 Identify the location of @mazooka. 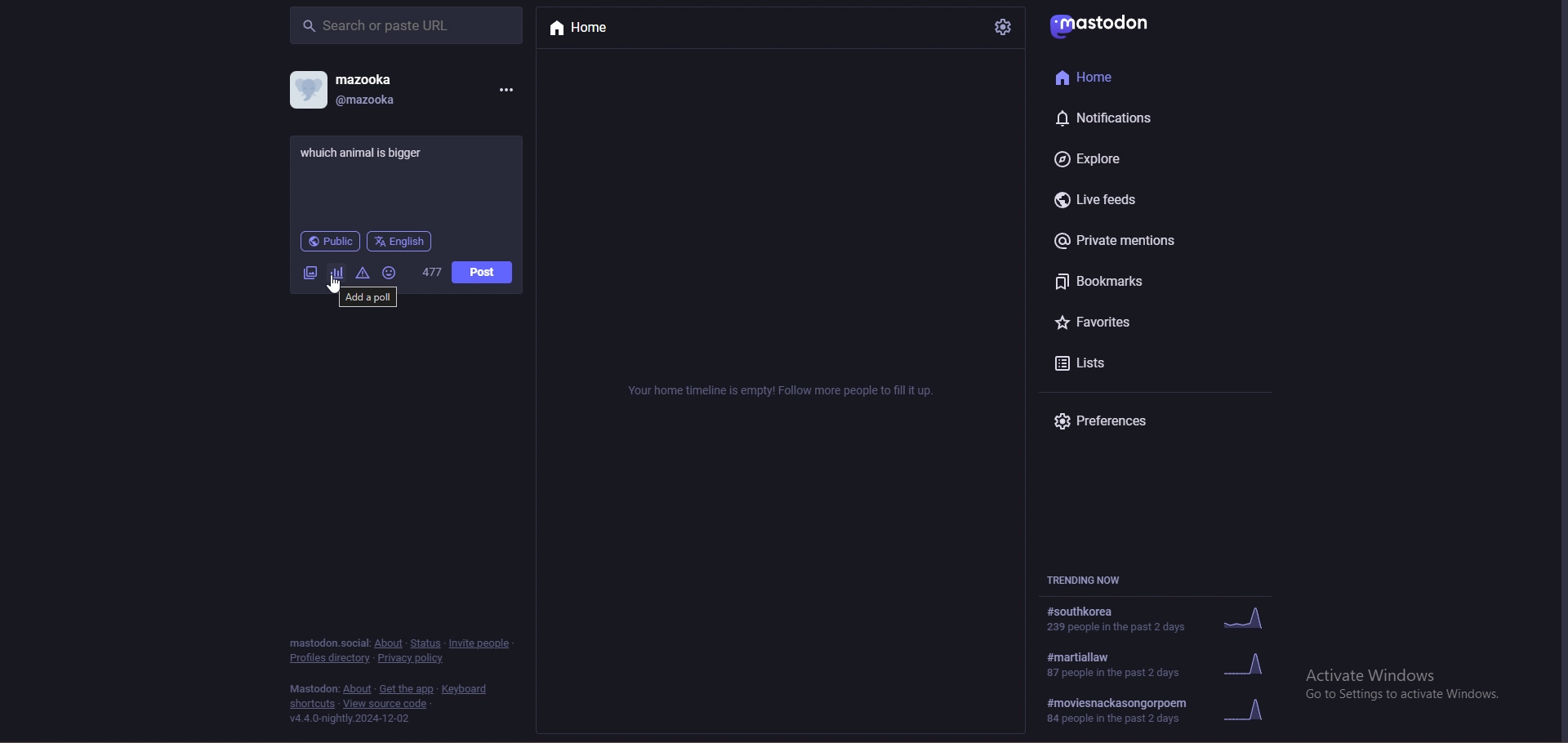
(371, 100).